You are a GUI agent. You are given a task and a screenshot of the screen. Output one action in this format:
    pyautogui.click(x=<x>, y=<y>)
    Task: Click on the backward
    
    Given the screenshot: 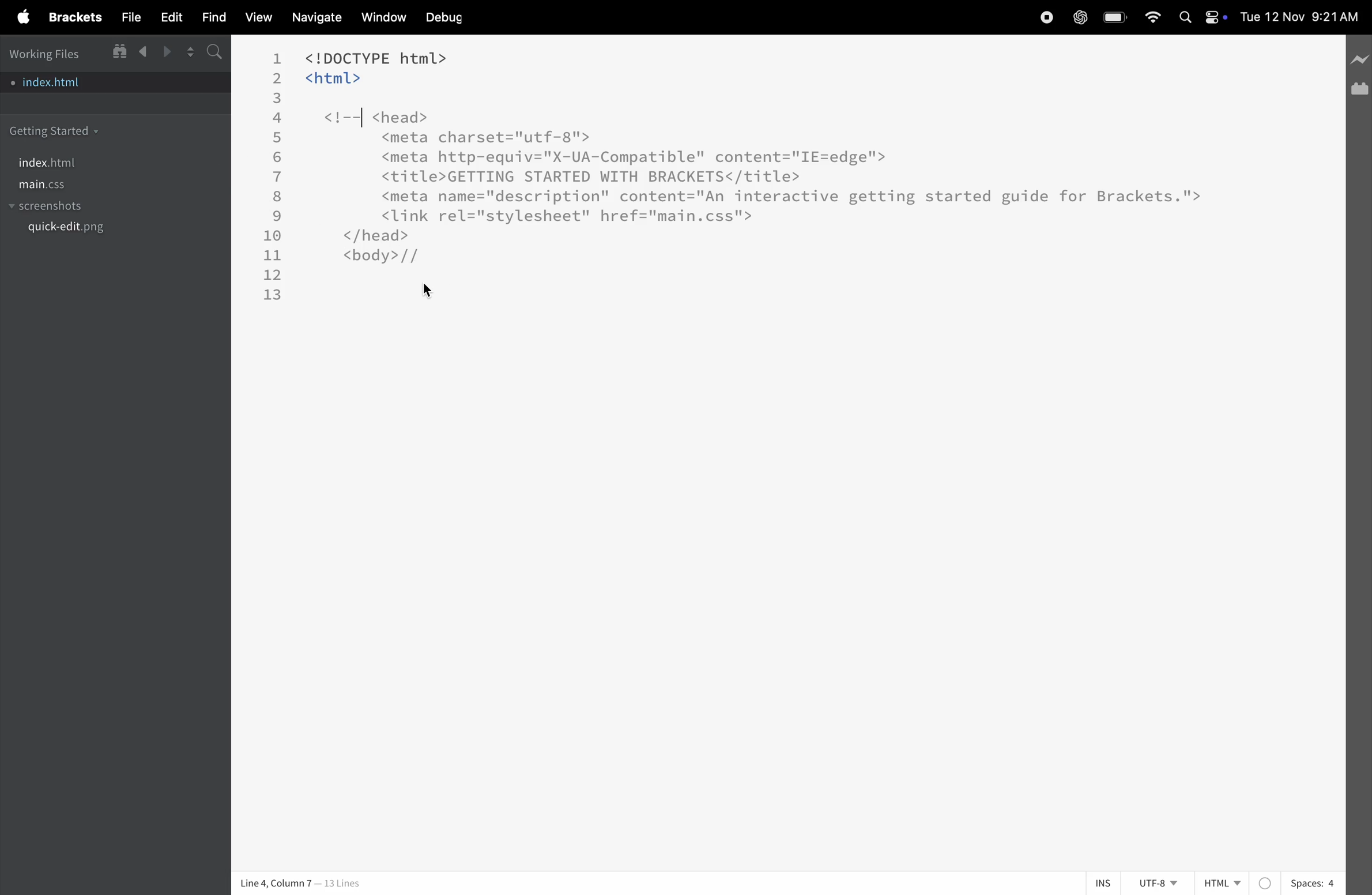 What is the action you would take?
    pyautogui.click(x=144, y=52)
    